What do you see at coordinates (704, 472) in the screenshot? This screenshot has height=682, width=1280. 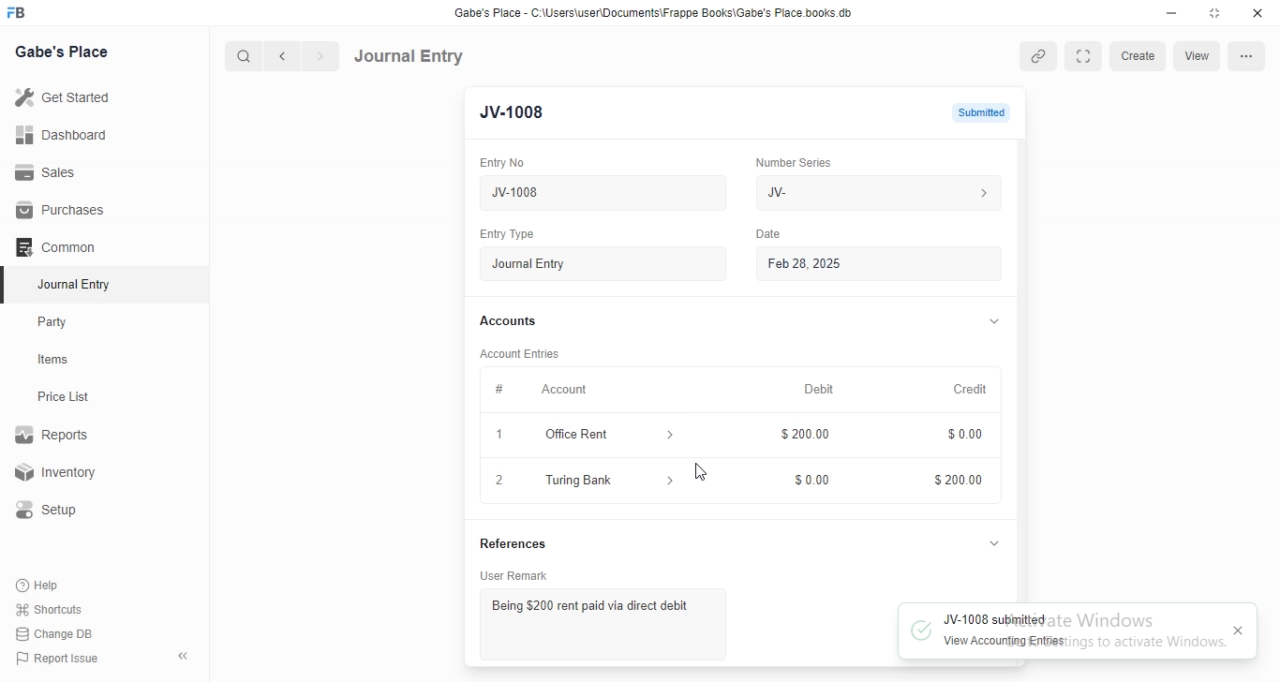 I see `cursor` at bounding box center [704, 472].